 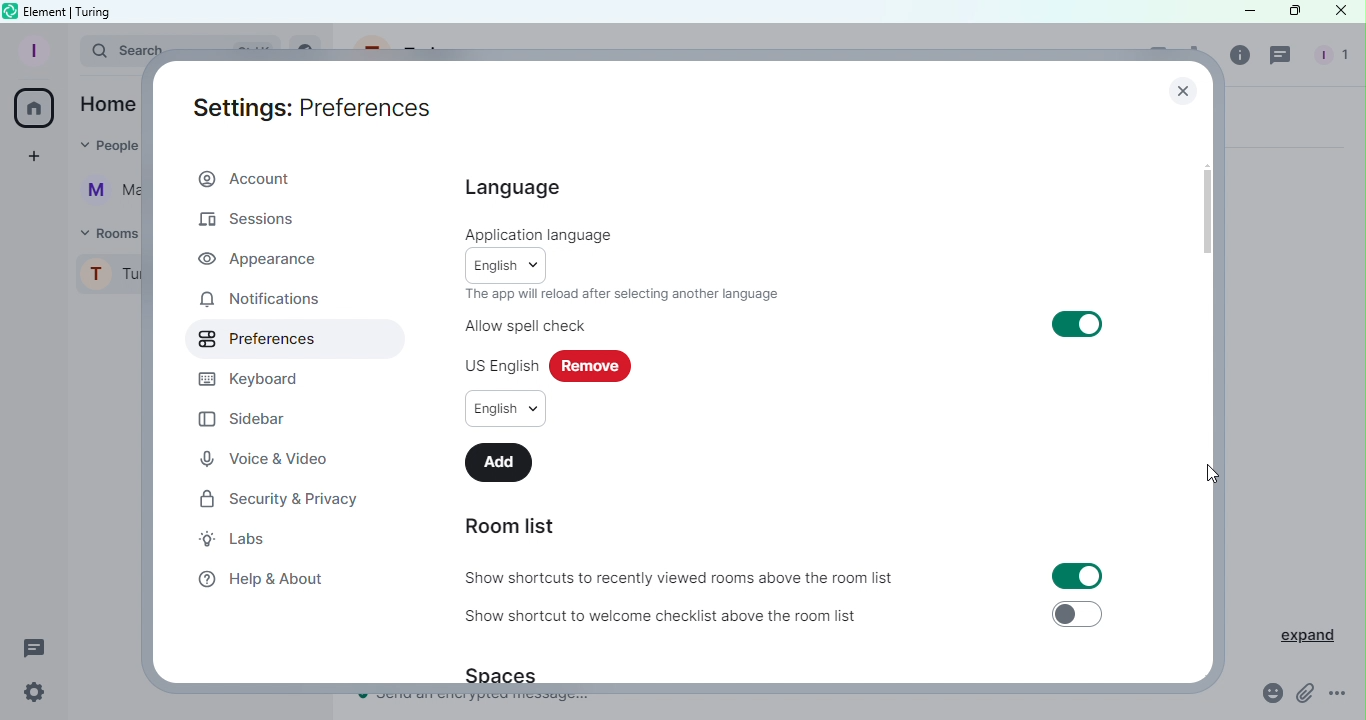 What do you see at coordinates (314, 108) in the screenshot?
I see `Settings: Preferences` at bounding box center [314, 108].